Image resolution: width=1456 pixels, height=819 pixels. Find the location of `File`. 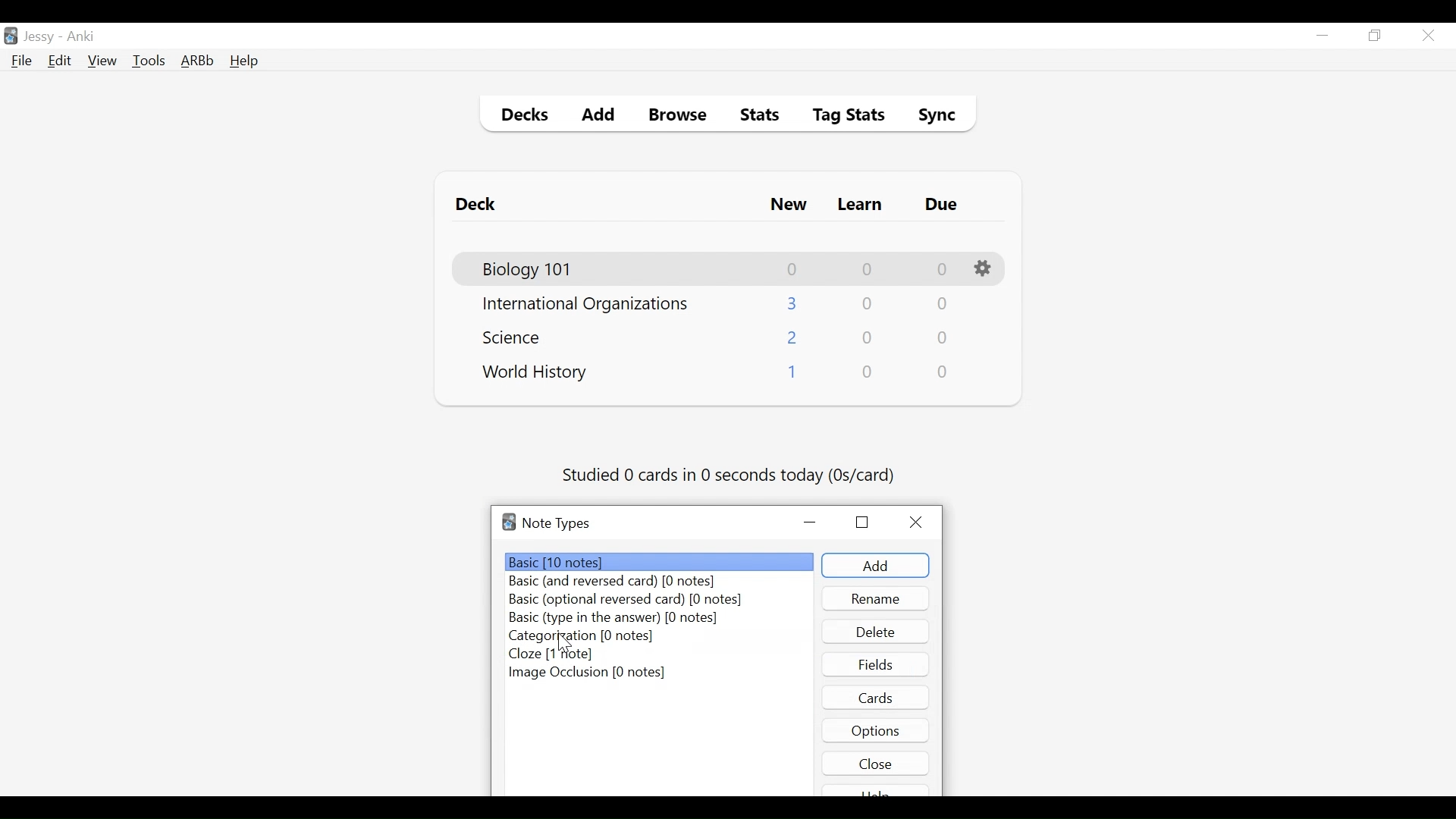

File is located at coordinates (22, 62).